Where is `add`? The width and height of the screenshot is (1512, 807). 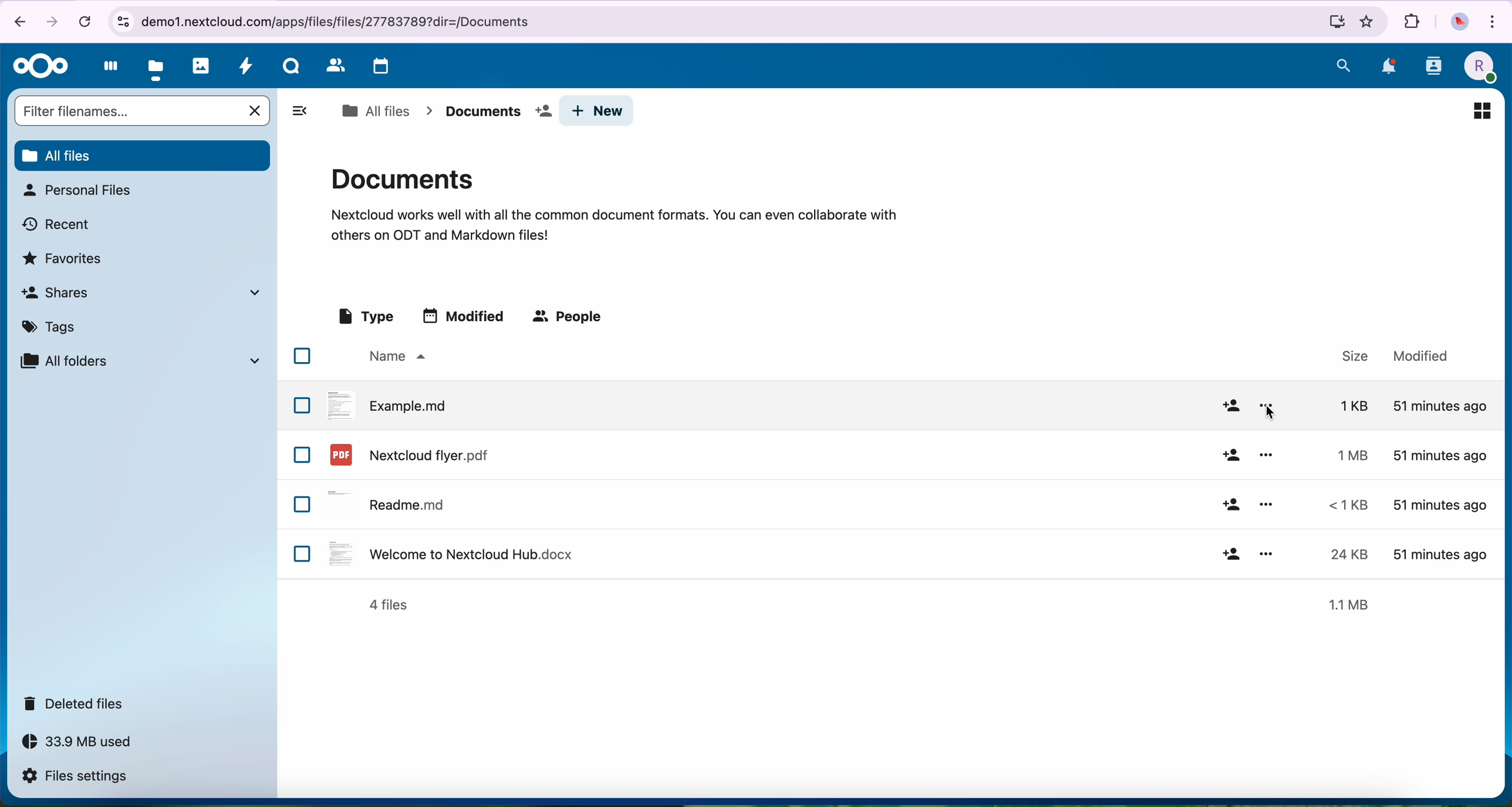
add is located at coordinates (1230, 505).